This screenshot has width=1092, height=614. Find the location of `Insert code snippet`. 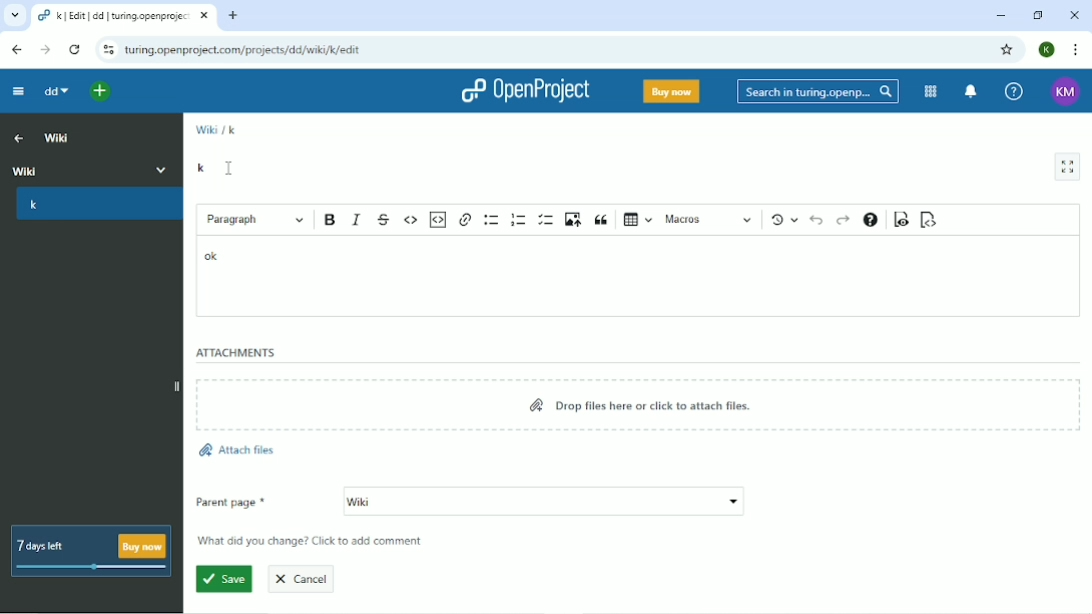

Insert code snippet is located at coordinates (438, 219).